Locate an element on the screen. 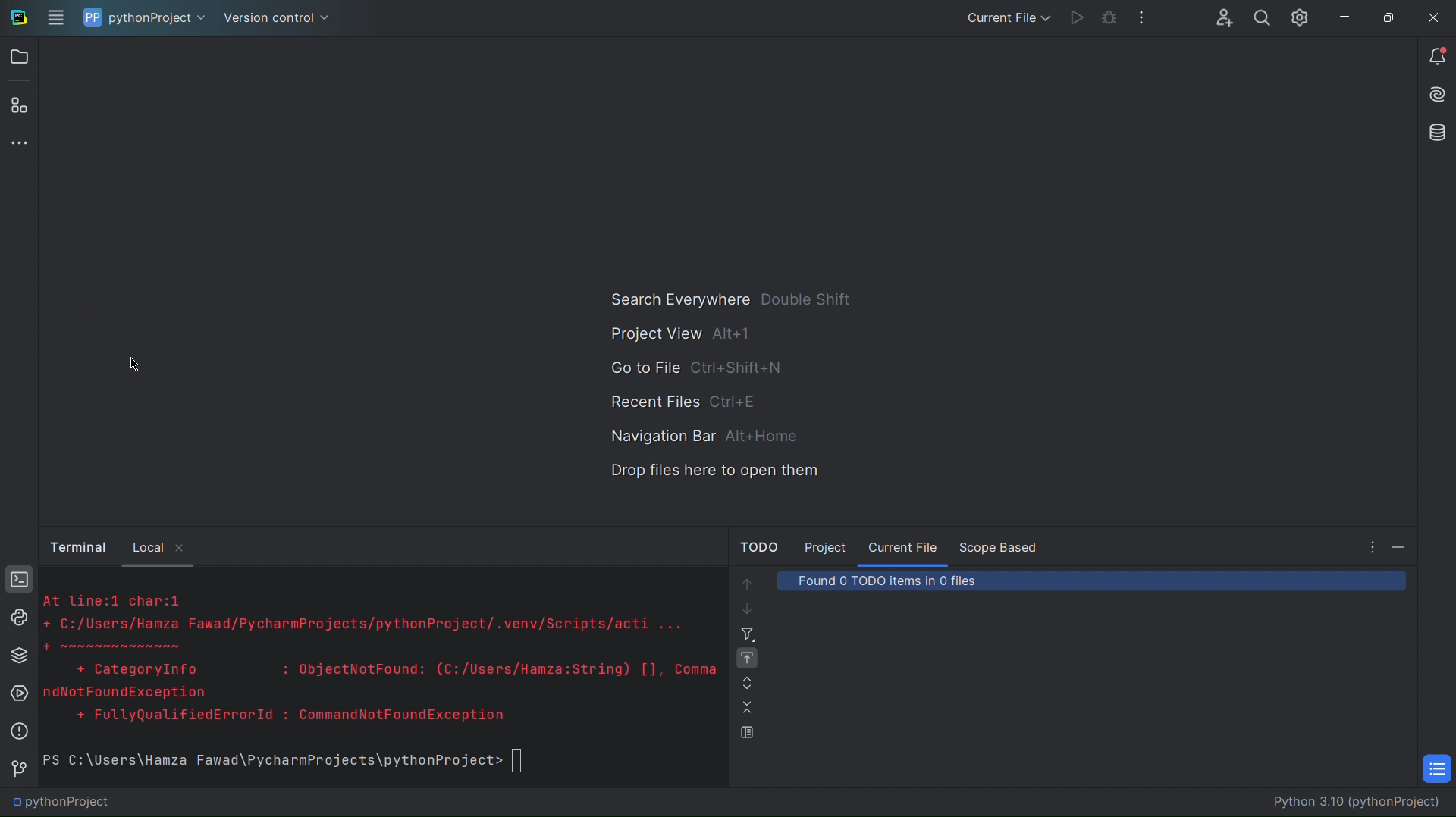 Image resolution: width=1456 pixels, height=817 pixels. Install AI Assistant is located at coordinates (1433, 96).